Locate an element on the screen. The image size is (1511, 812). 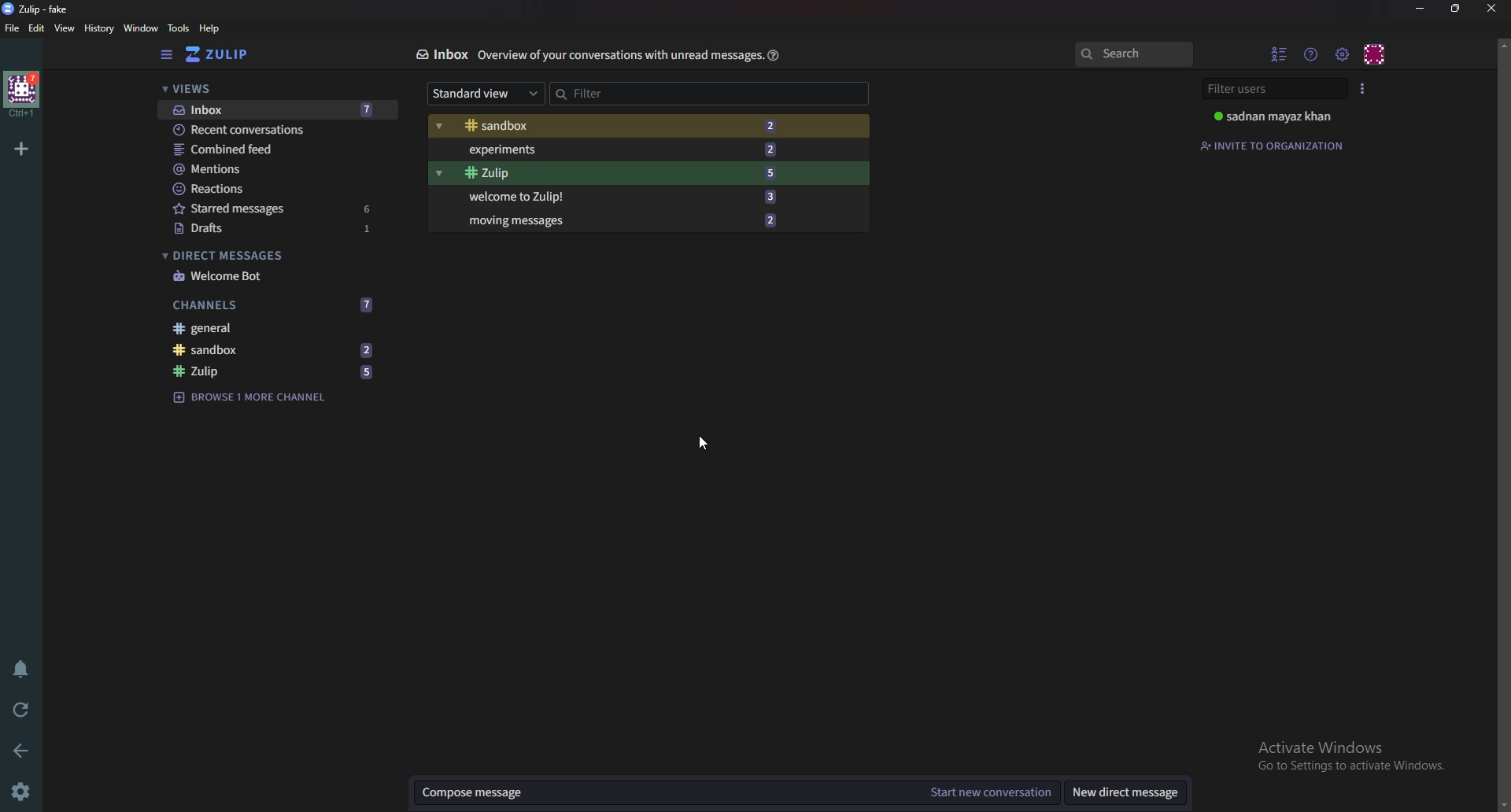
User list style is located at coordinates (1365, 88).